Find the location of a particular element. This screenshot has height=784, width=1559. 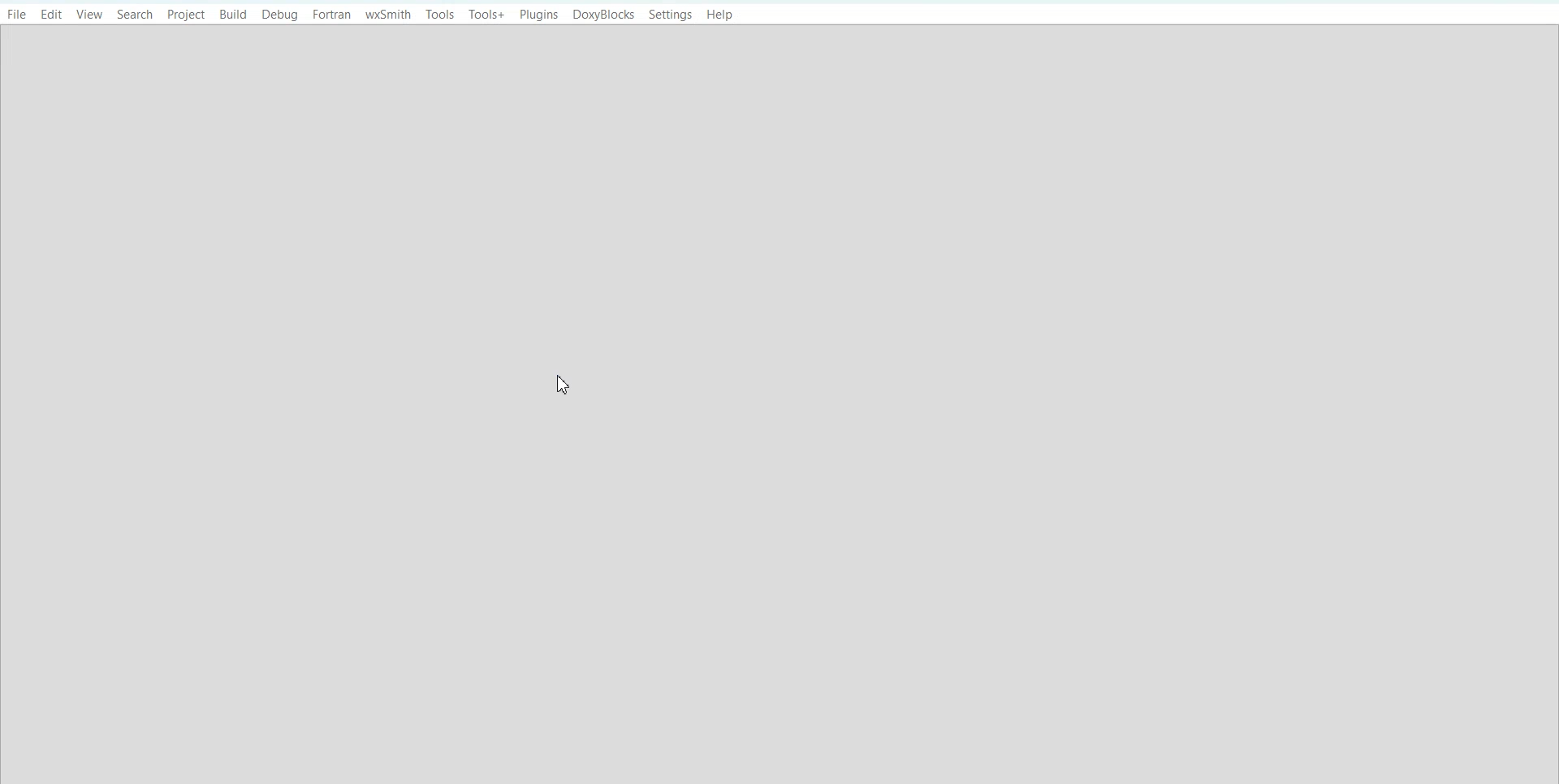

Project is located at coordinates (185, 15).